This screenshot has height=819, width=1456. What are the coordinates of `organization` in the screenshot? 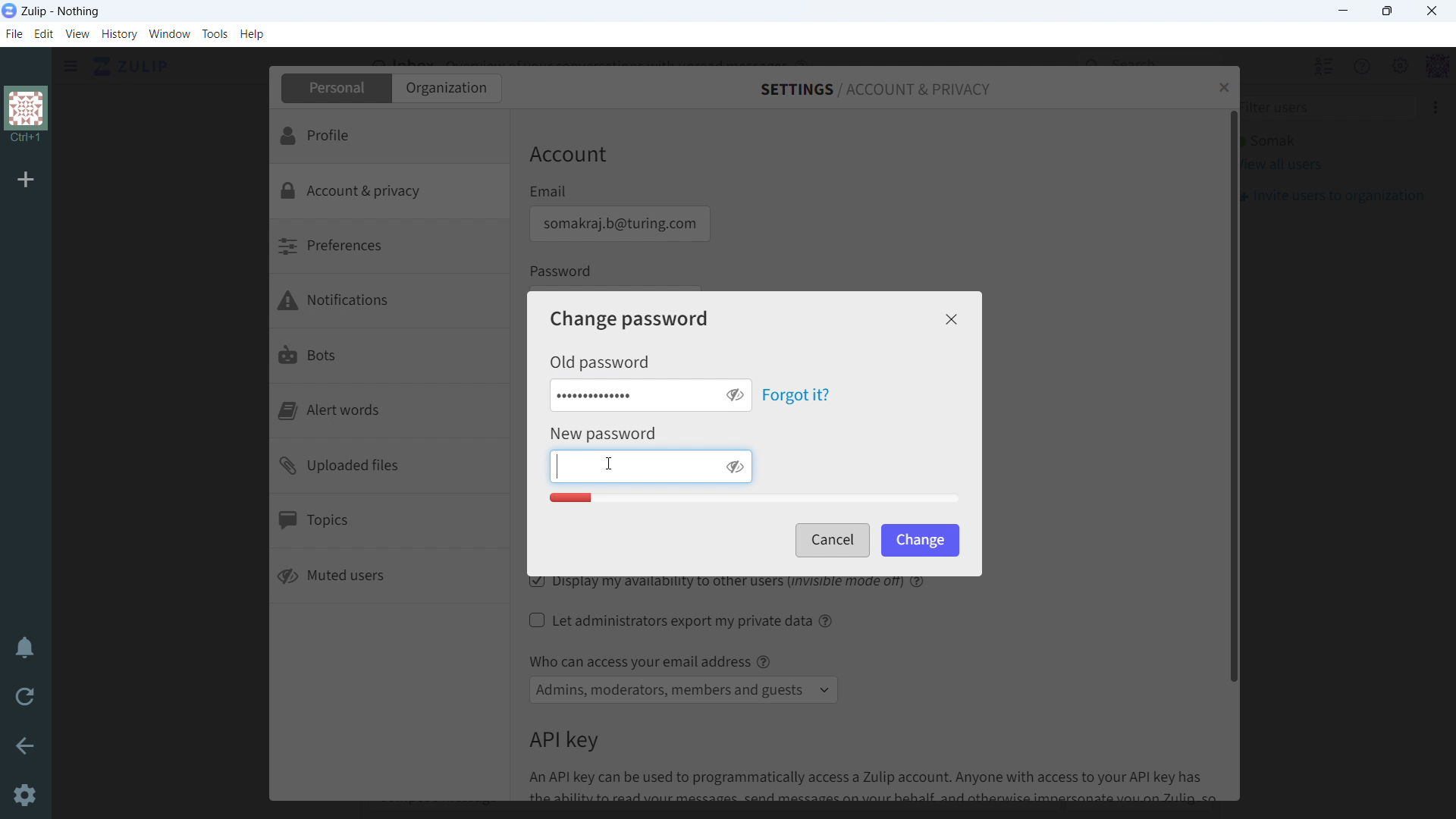 It's located at (446, 88).